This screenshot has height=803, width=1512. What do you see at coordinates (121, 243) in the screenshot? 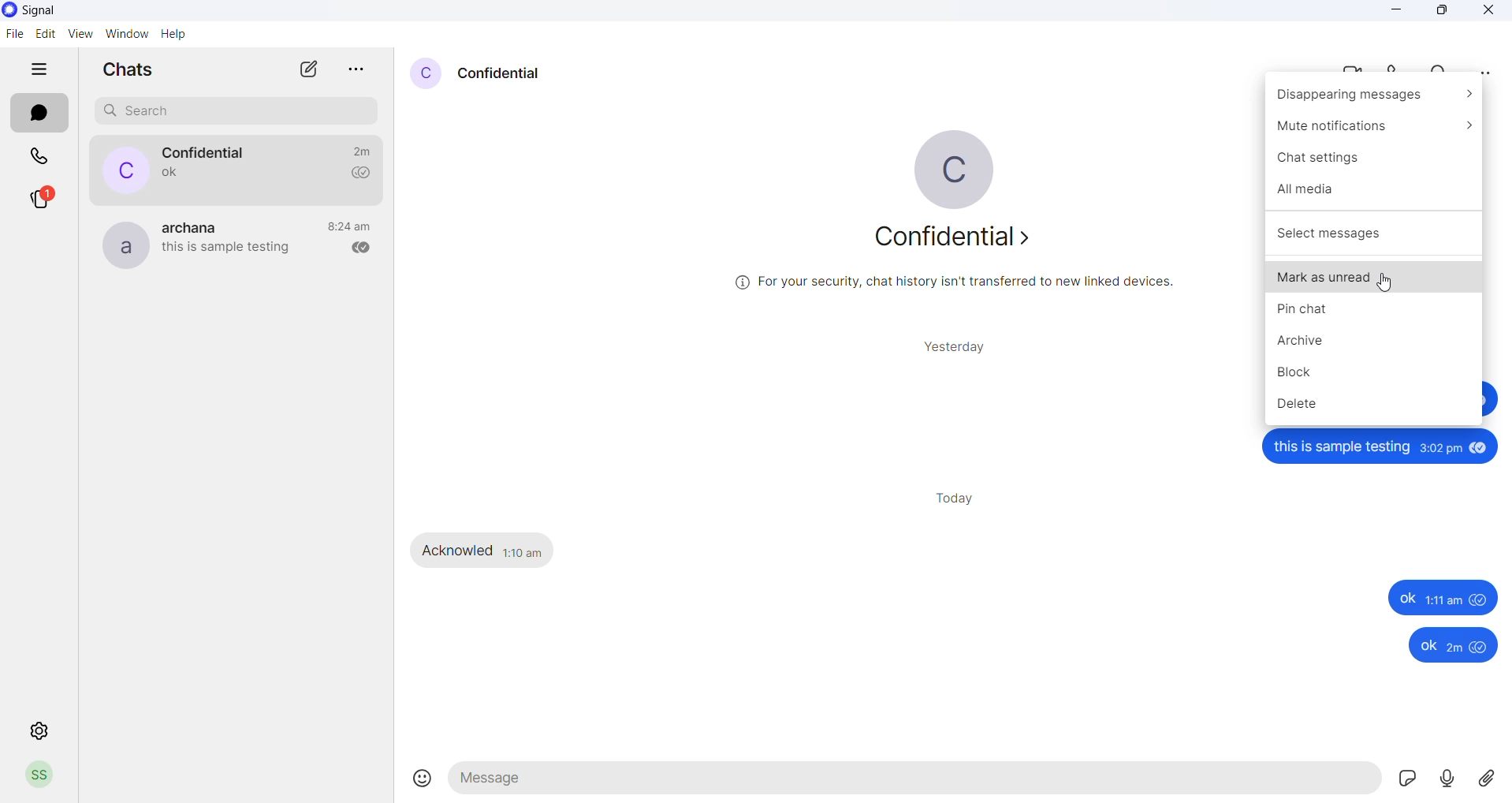
I see `profile picture` at bounding box center [121, 243].